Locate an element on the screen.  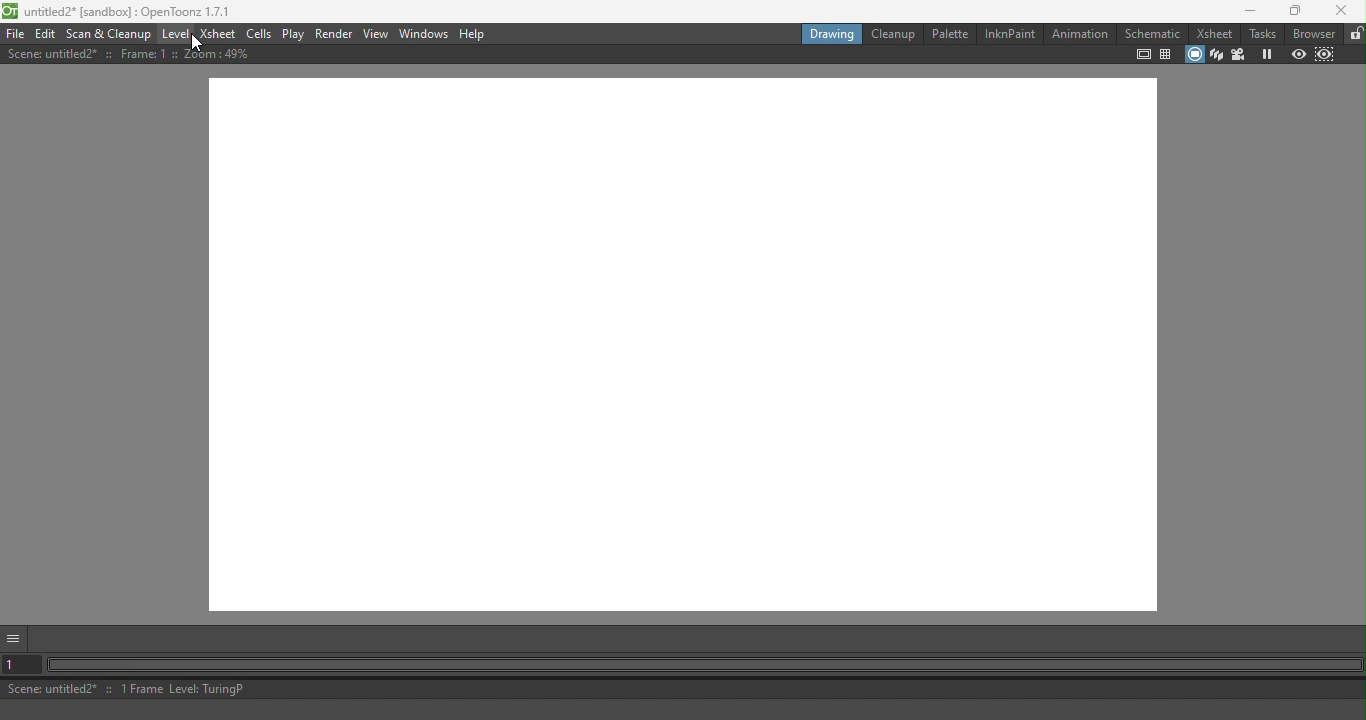
More options is located at coordinates (16, 640).